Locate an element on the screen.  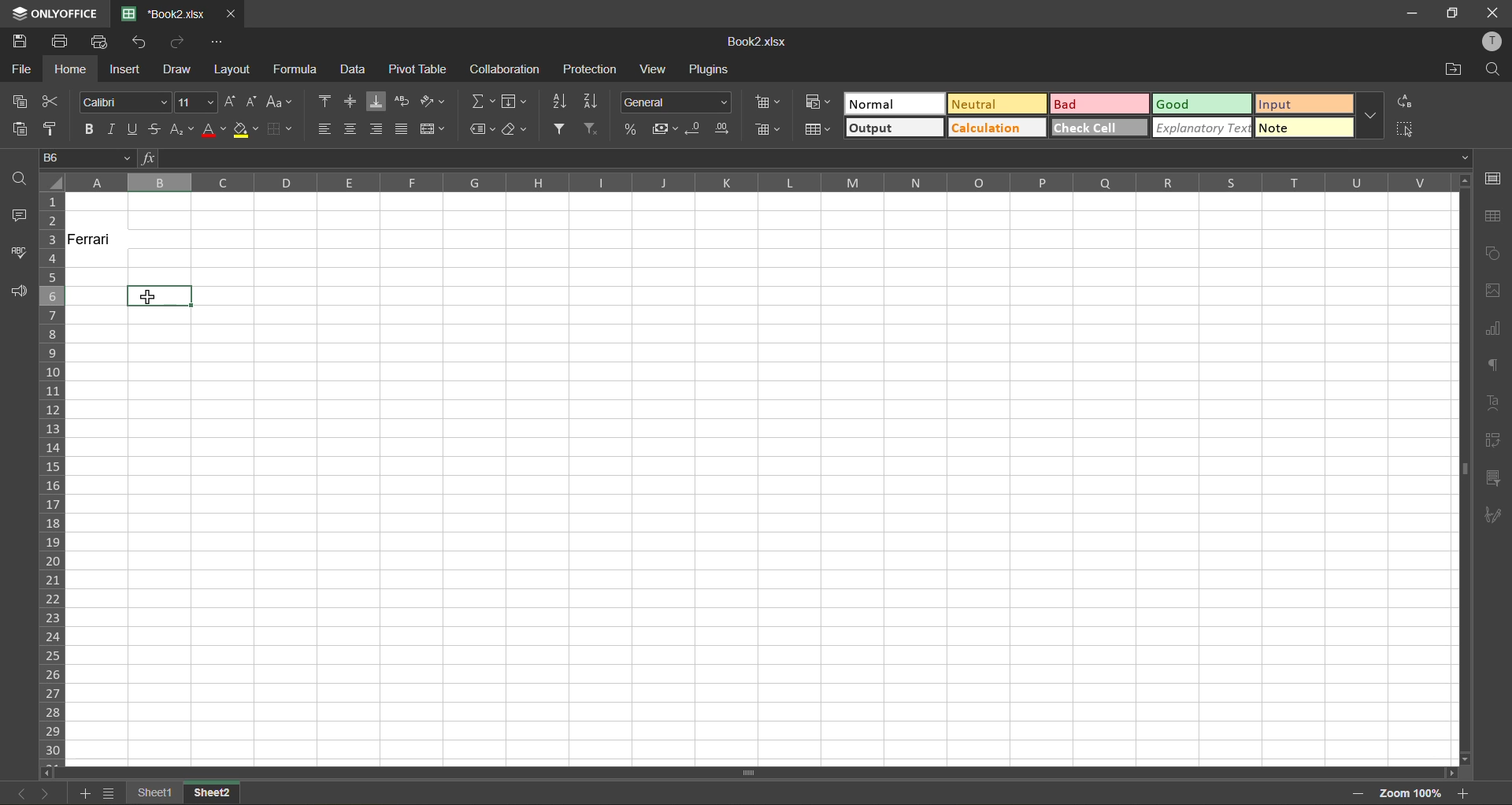
bold is located at coordinates (91, 131).